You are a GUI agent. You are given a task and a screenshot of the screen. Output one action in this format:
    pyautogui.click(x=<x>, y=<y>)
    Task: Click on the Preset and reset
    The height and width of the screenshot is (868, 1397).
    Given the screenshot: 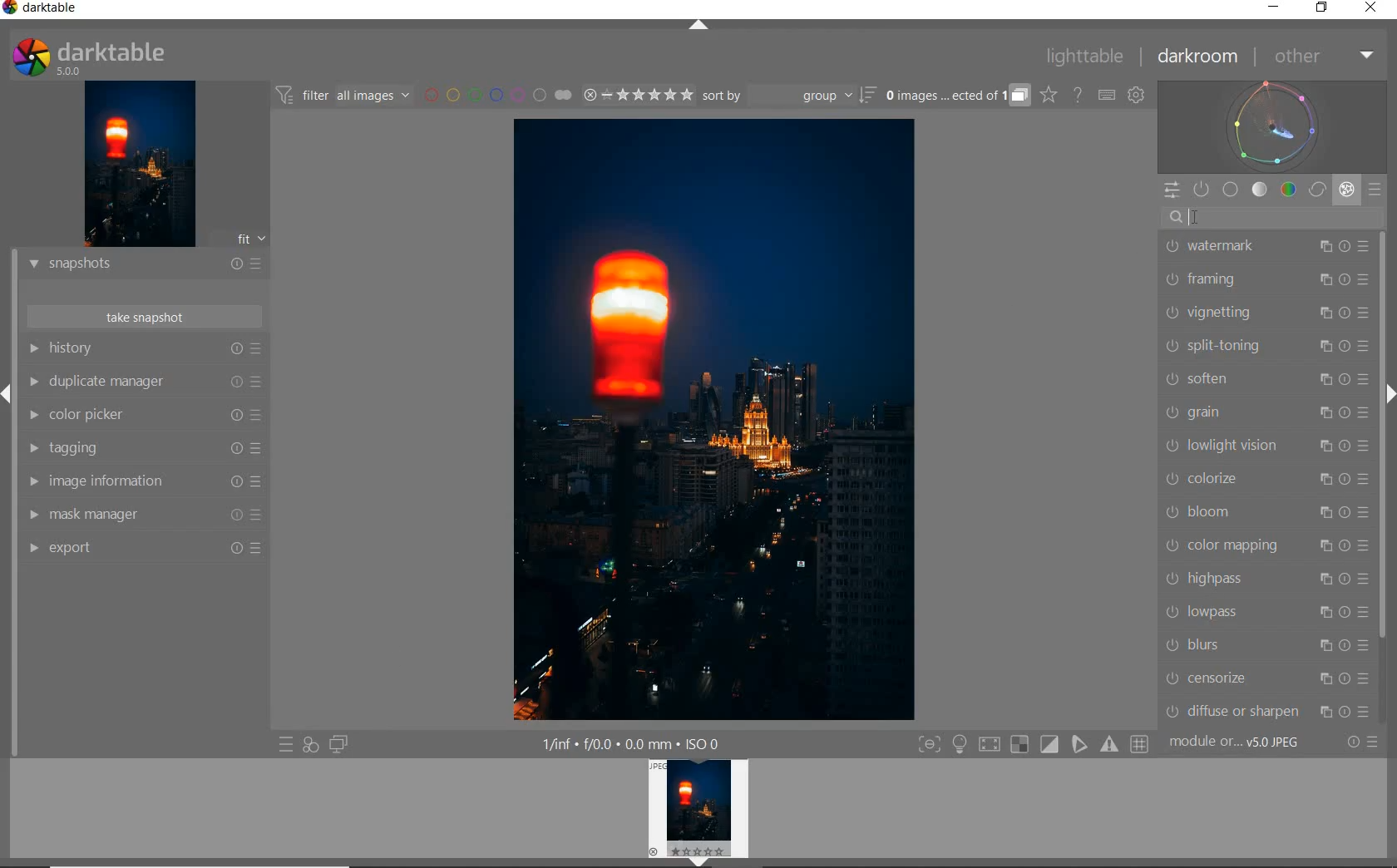 What is the action you would take?
    pyautogui.click(x=1365, y=480)
    